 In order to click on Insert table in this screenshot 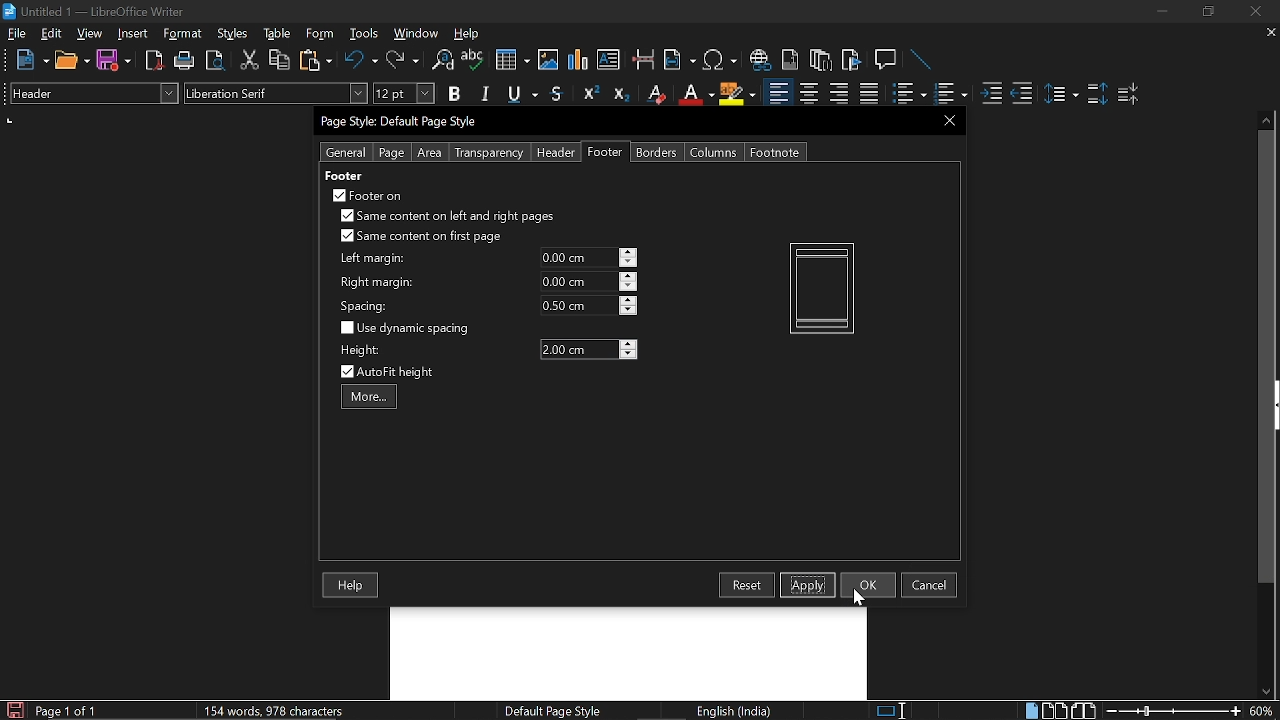, I will do `click(511, 61)`.